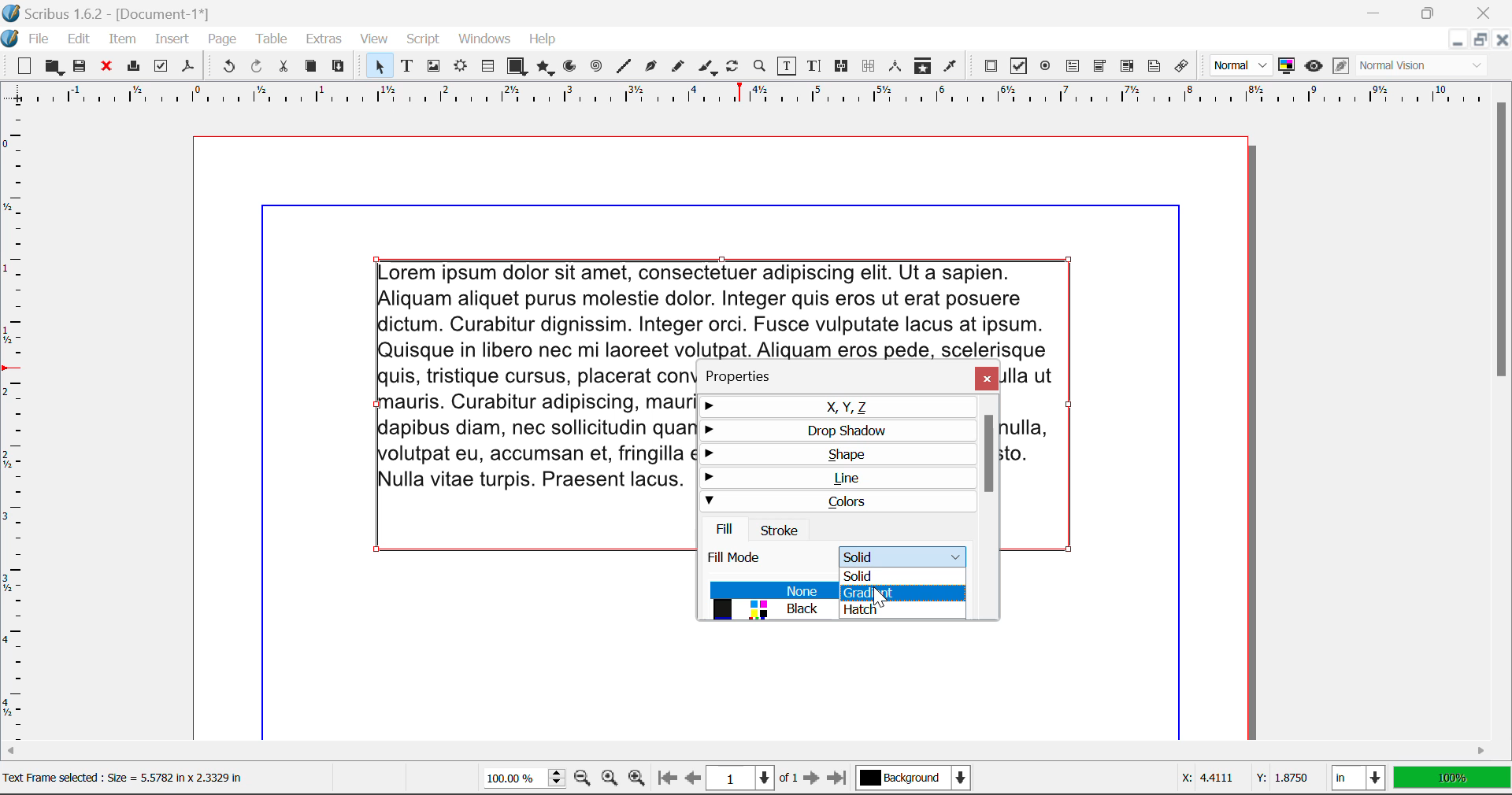  Describe the element at coordinates (543, 39) in the screenshot. I see `Help` at that location.